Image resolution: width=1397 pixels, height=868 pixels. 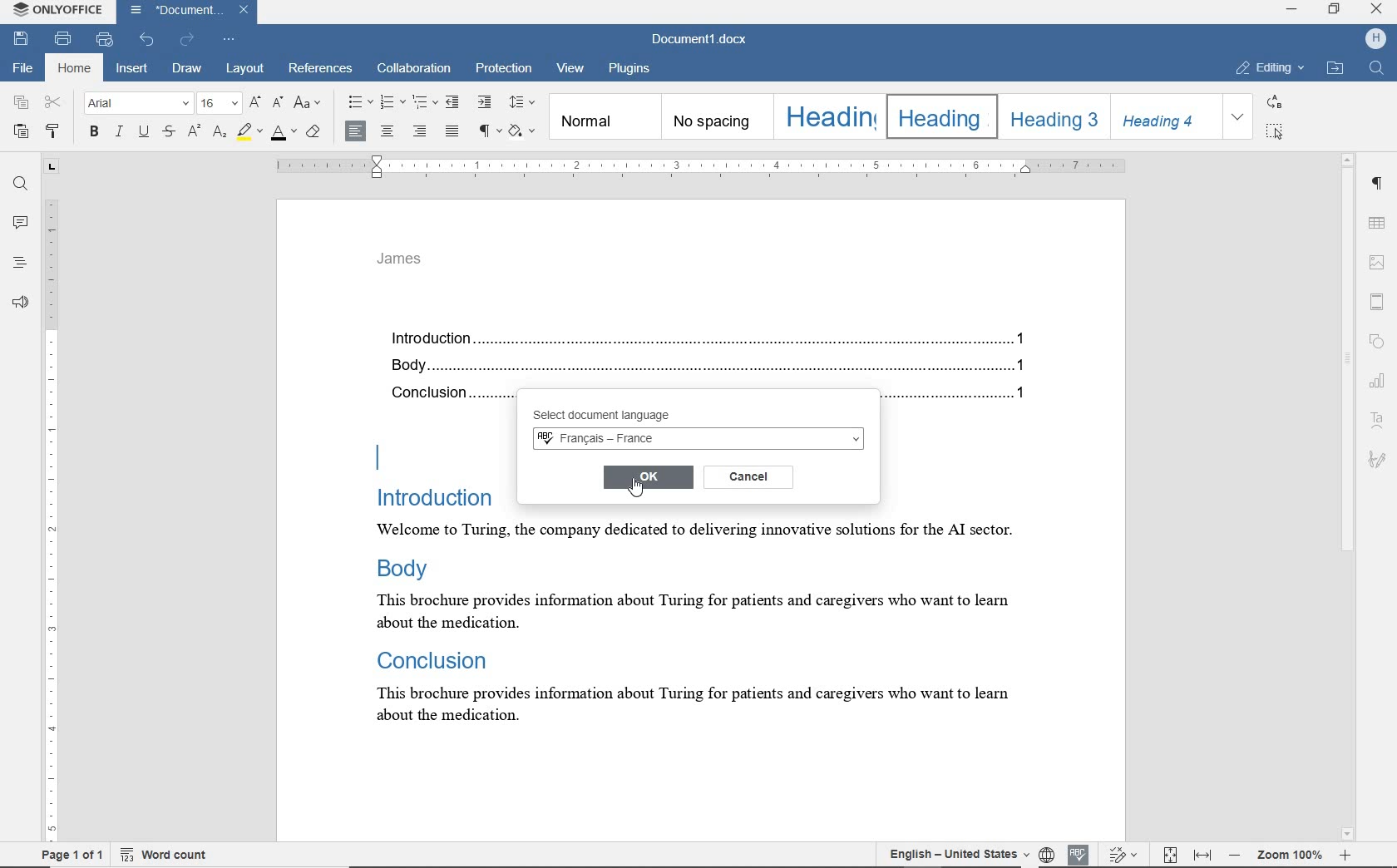 What do you see at coordinates (749, 476) in the screenshot?
I see `cancel` at bounding box center [749, 476].